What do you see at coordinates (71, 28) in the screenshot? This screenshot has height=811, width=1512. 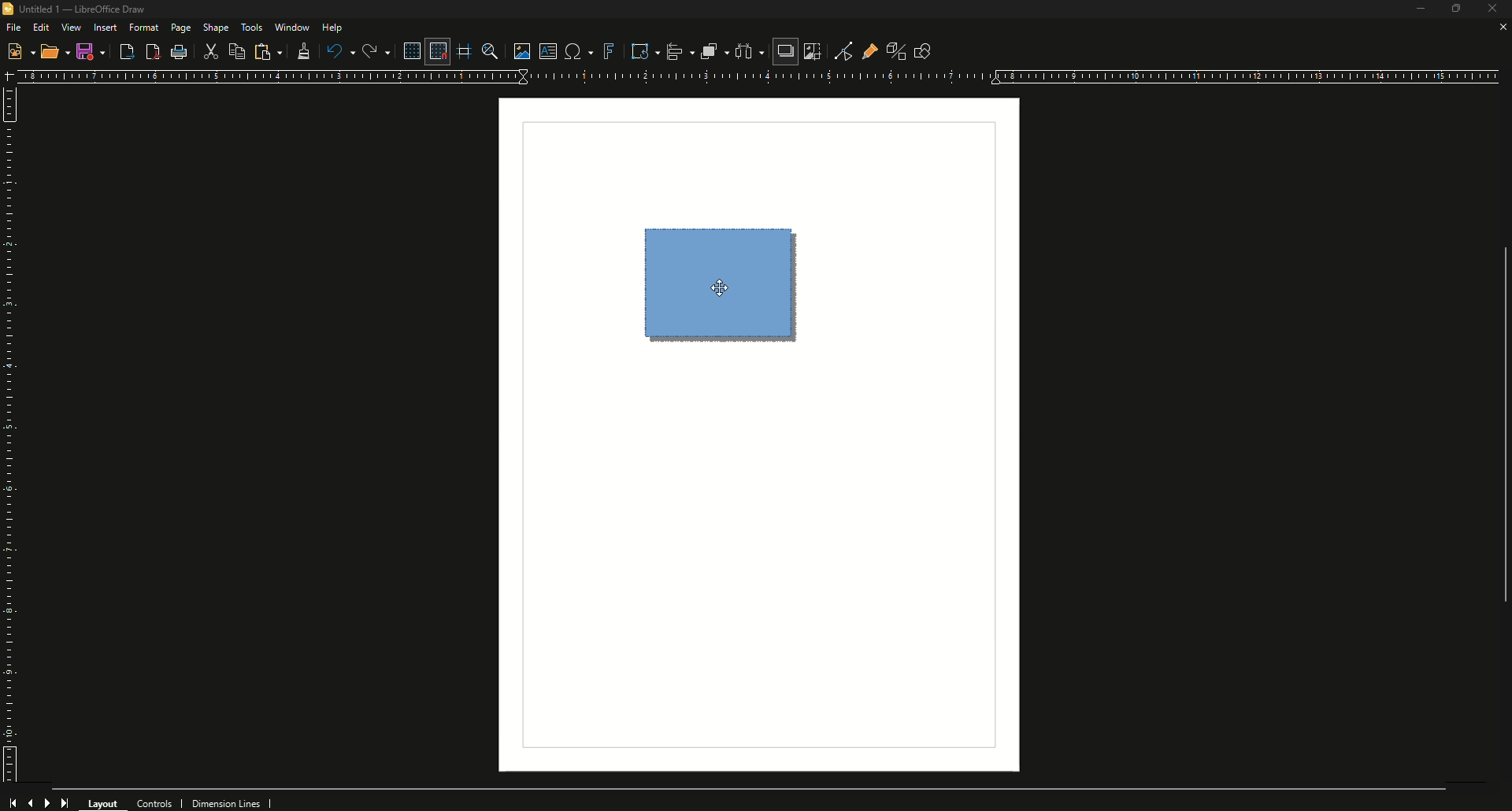 I see `View` at bounding box center [71, 28].